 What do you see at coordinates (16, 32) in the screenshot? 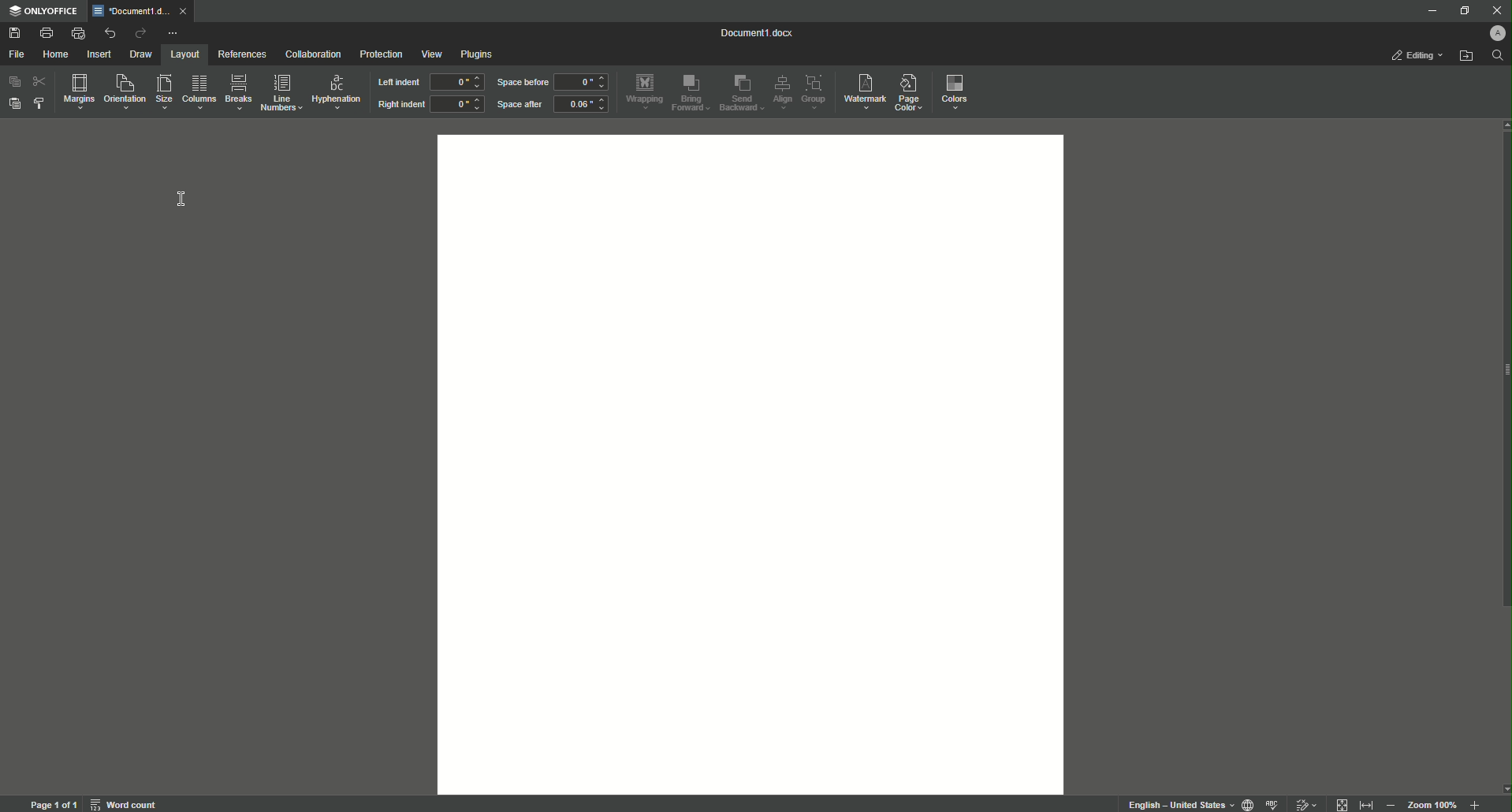
I see `Save` at bounding box center [16, 32].